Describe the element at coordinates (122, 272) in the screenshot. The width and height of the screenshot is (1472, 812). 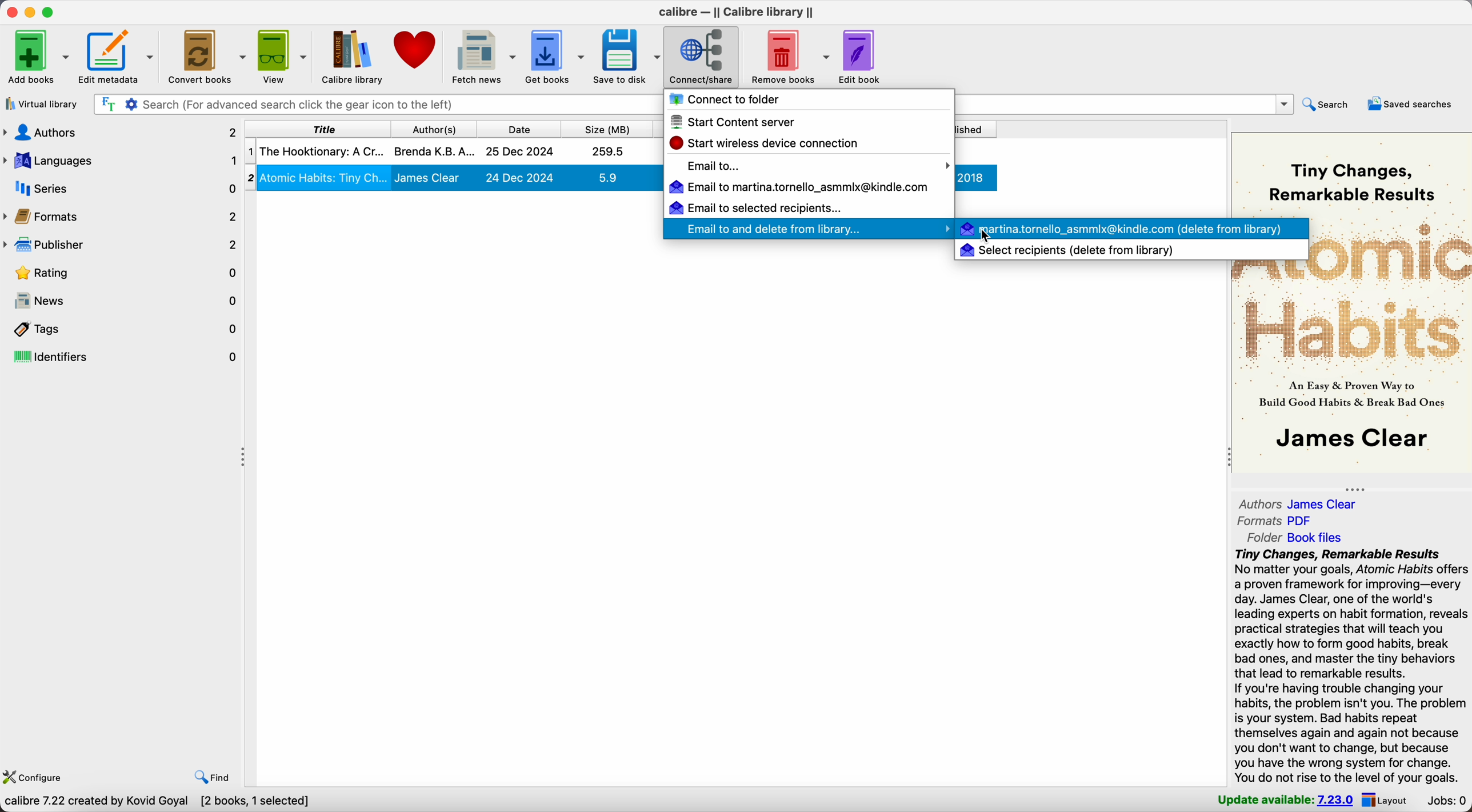
I see `rating` at that location.